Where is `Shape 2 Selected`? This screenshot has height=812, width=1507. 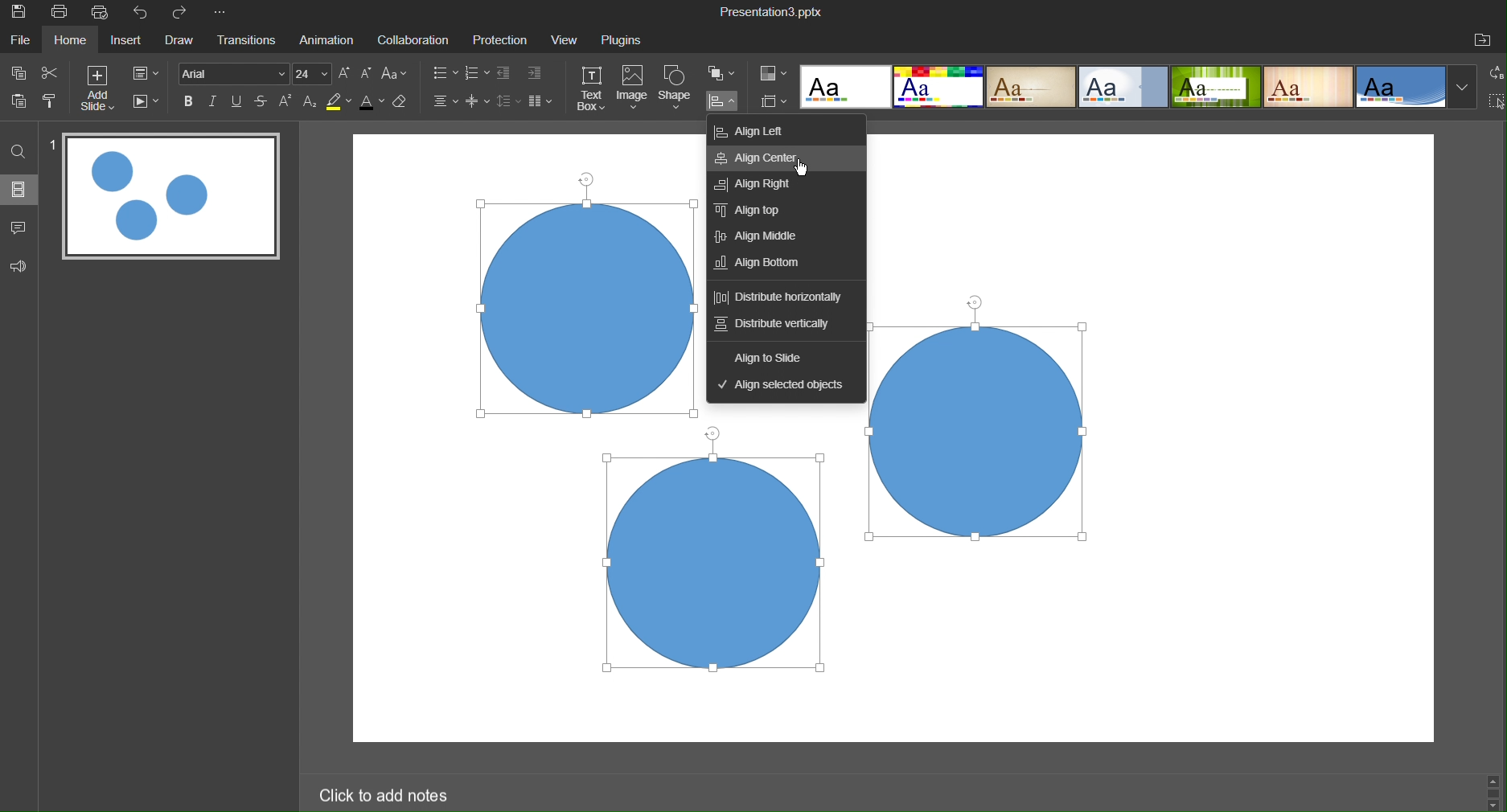 Shape 2 Selected is located at coordinates (975, 432).